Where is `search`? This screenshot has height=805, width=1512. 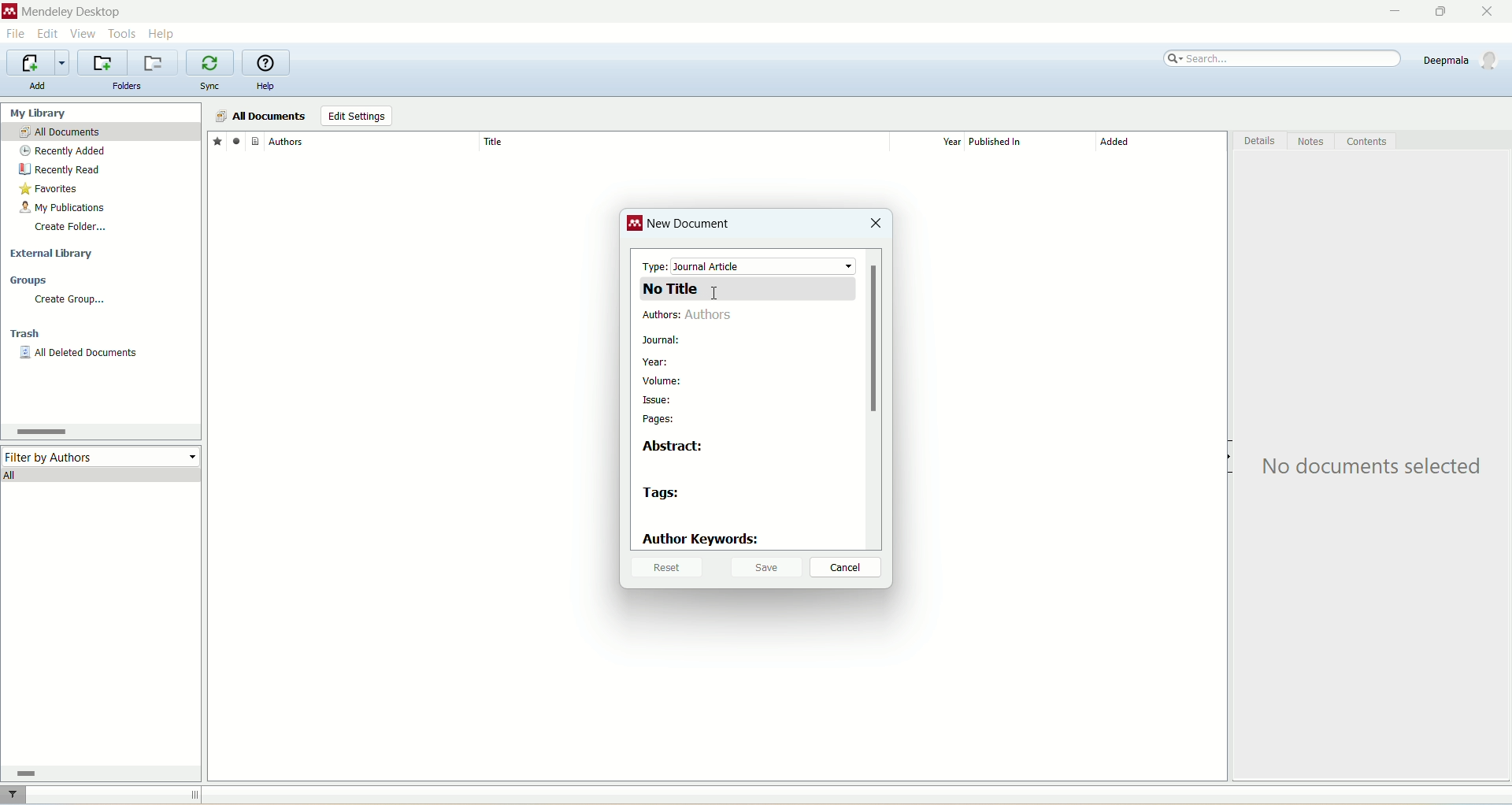
search is located at coordinates (1284, 59).